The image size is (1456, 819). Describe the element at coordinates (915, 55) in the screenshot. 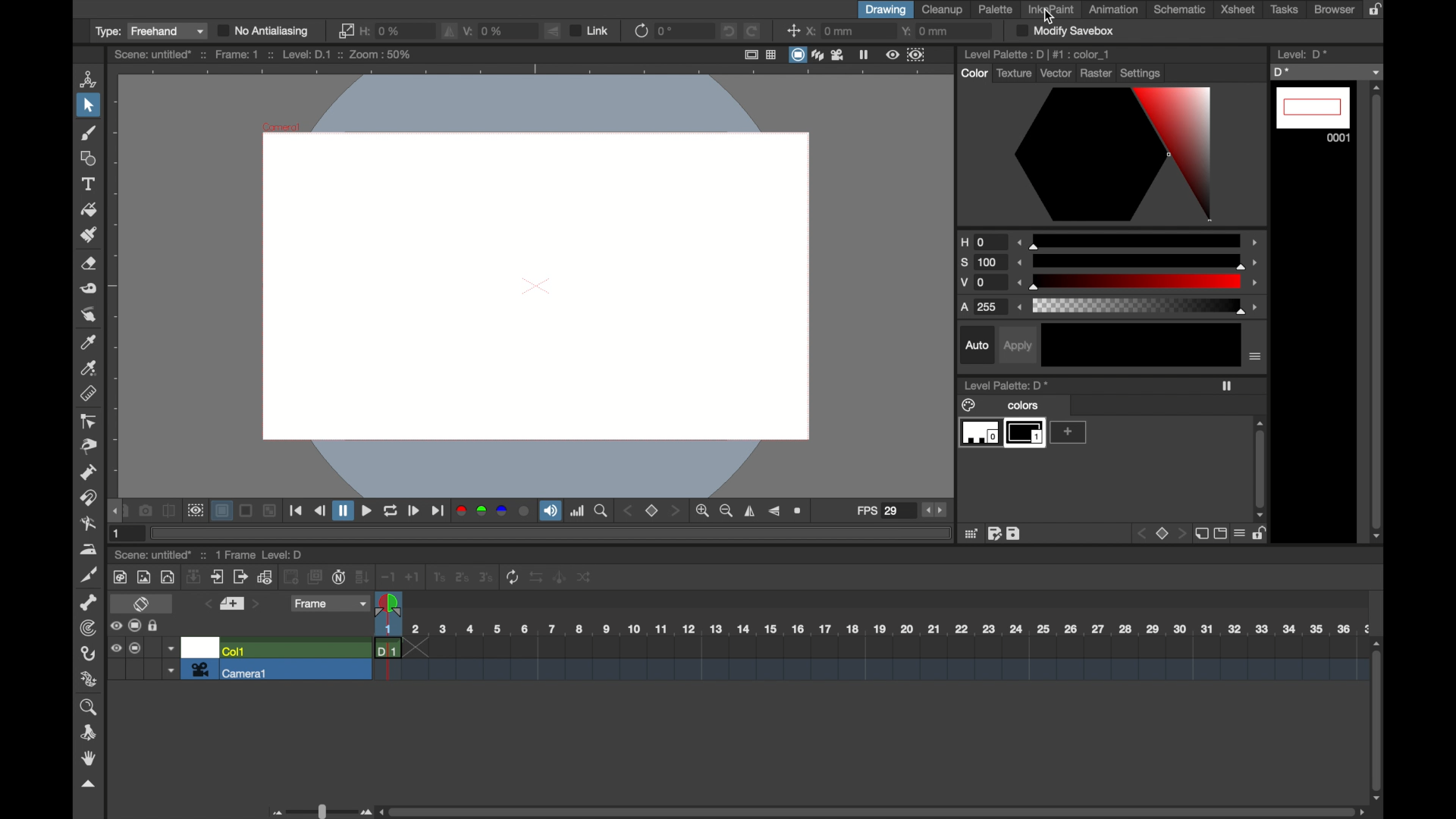

I see `frame` at that location.